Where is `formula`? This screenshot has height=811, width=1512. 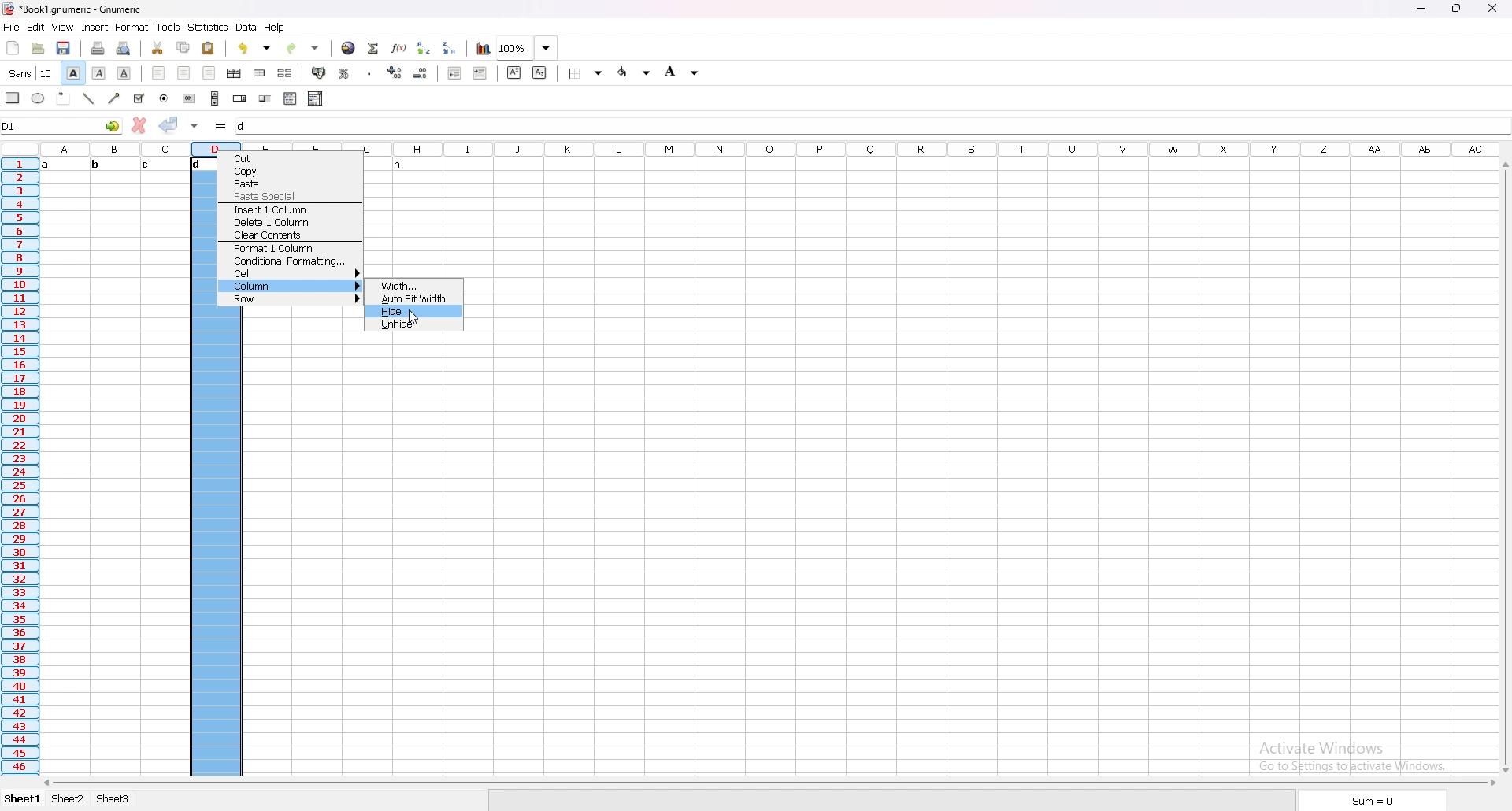
formula is located at coordinates (222, 126).